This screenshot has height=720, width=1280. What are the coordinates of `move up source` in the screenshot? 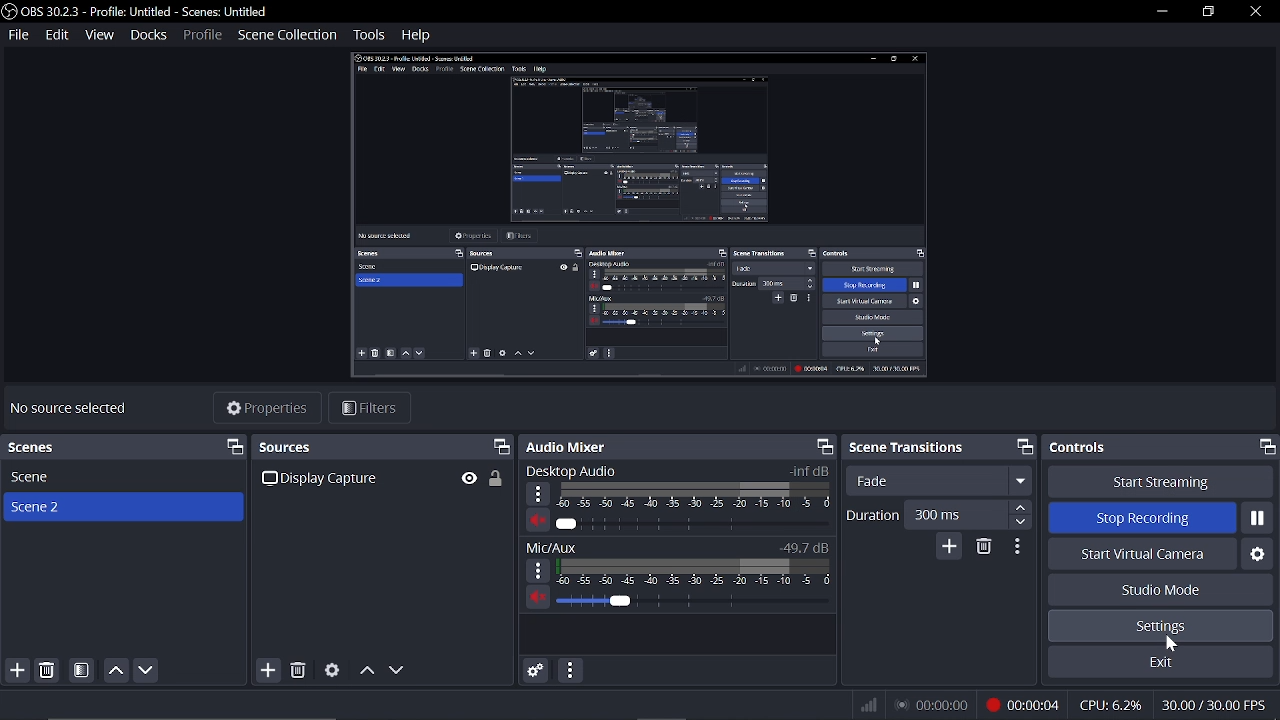 It's located at (365, 669).